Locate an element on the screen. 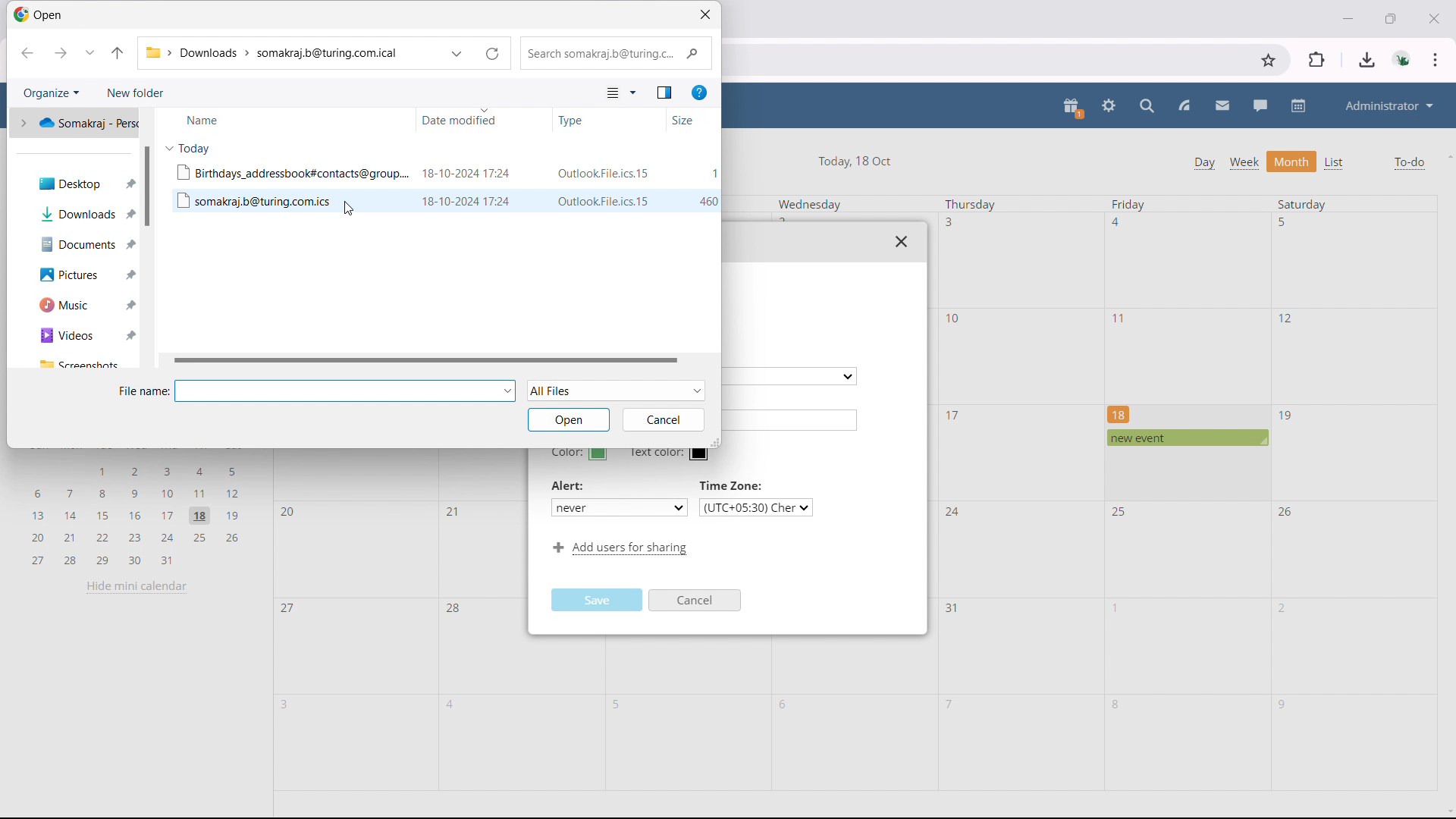 The height and width of the screenshot is (819, 1456). Open is located at coordinates (42, 17).